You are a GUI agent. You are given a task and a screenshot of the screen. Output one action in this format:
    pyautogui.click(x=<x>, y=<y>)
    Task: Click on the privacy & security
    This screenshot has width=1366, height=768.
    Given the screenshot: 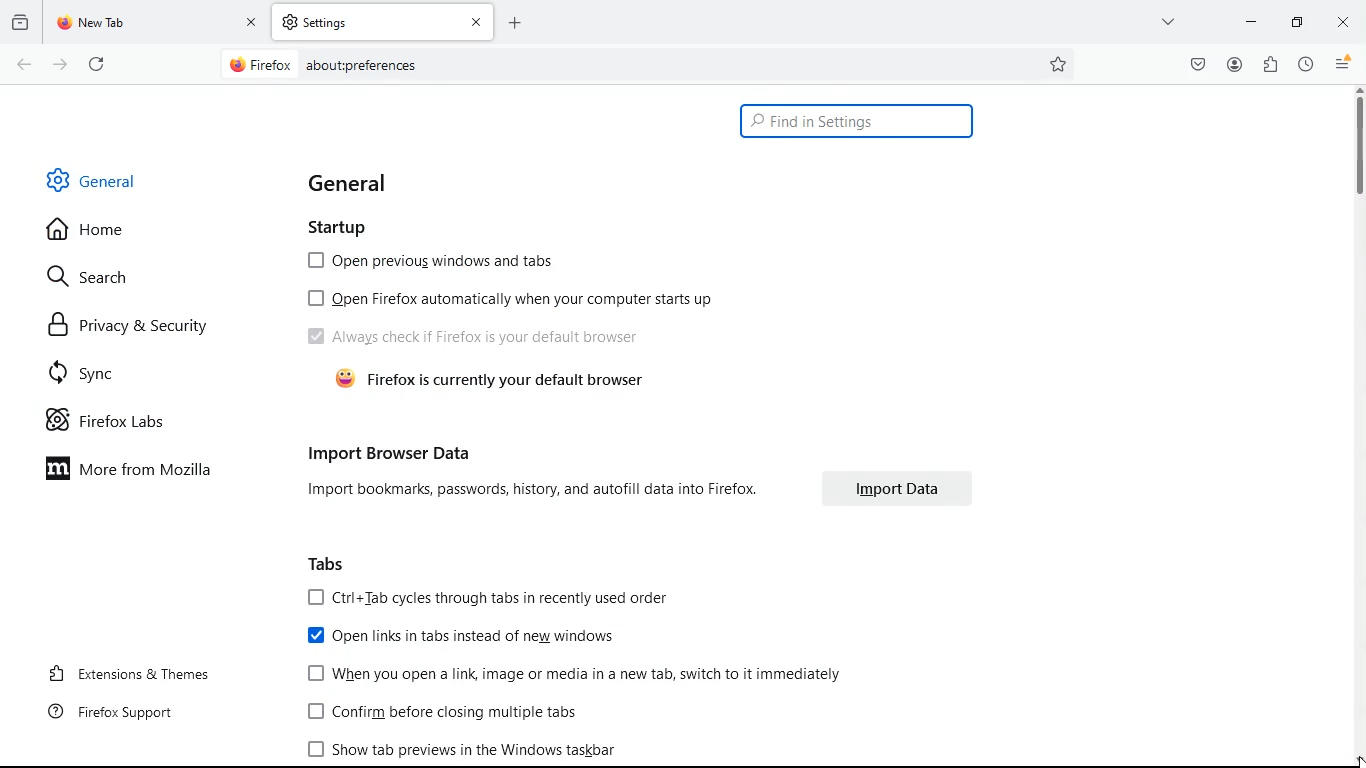 What is the action you would take?
    pyautogui.click(x=130, y=325)
    